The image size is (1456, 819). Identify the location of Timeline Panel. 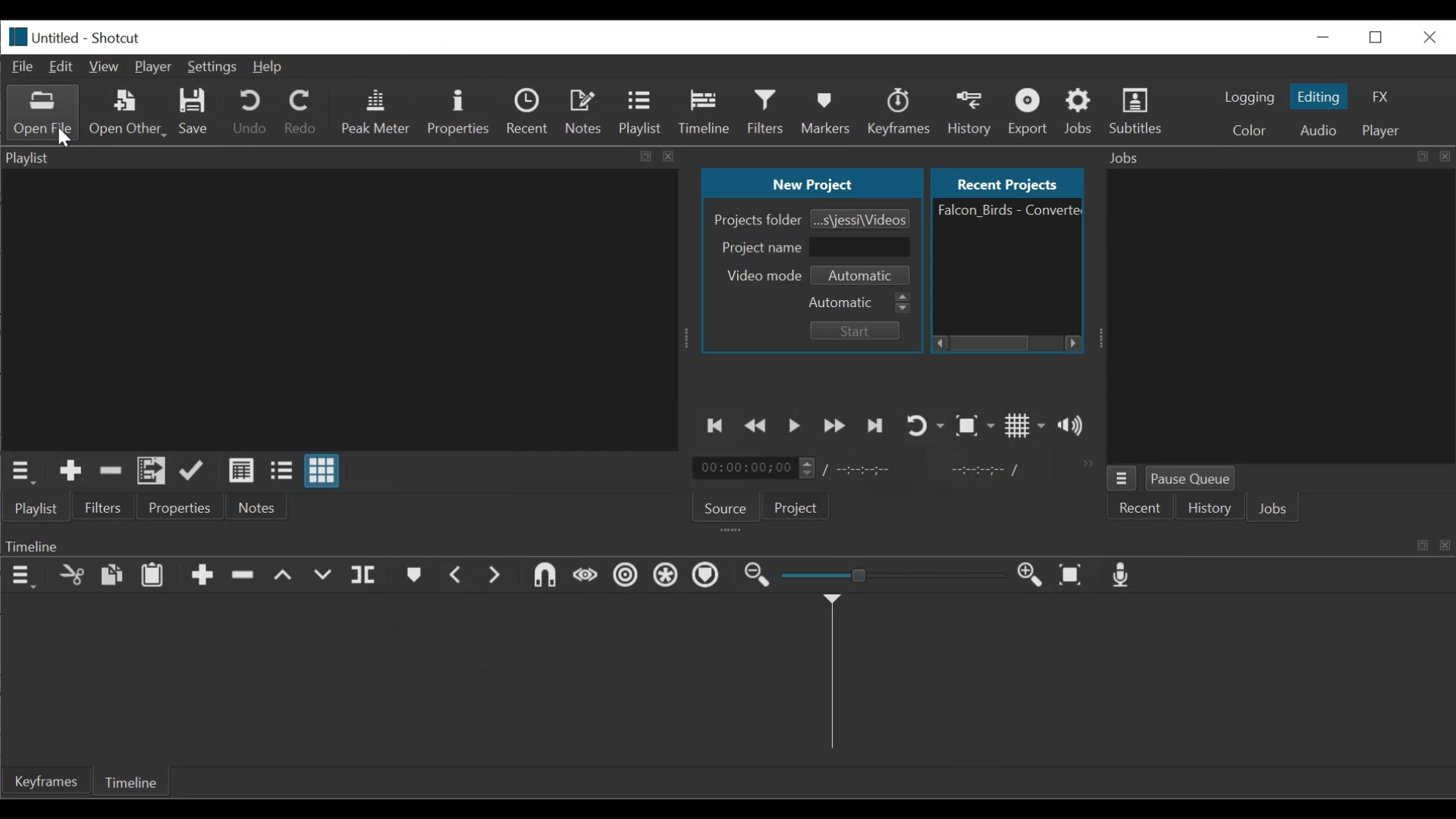
(21, 576).